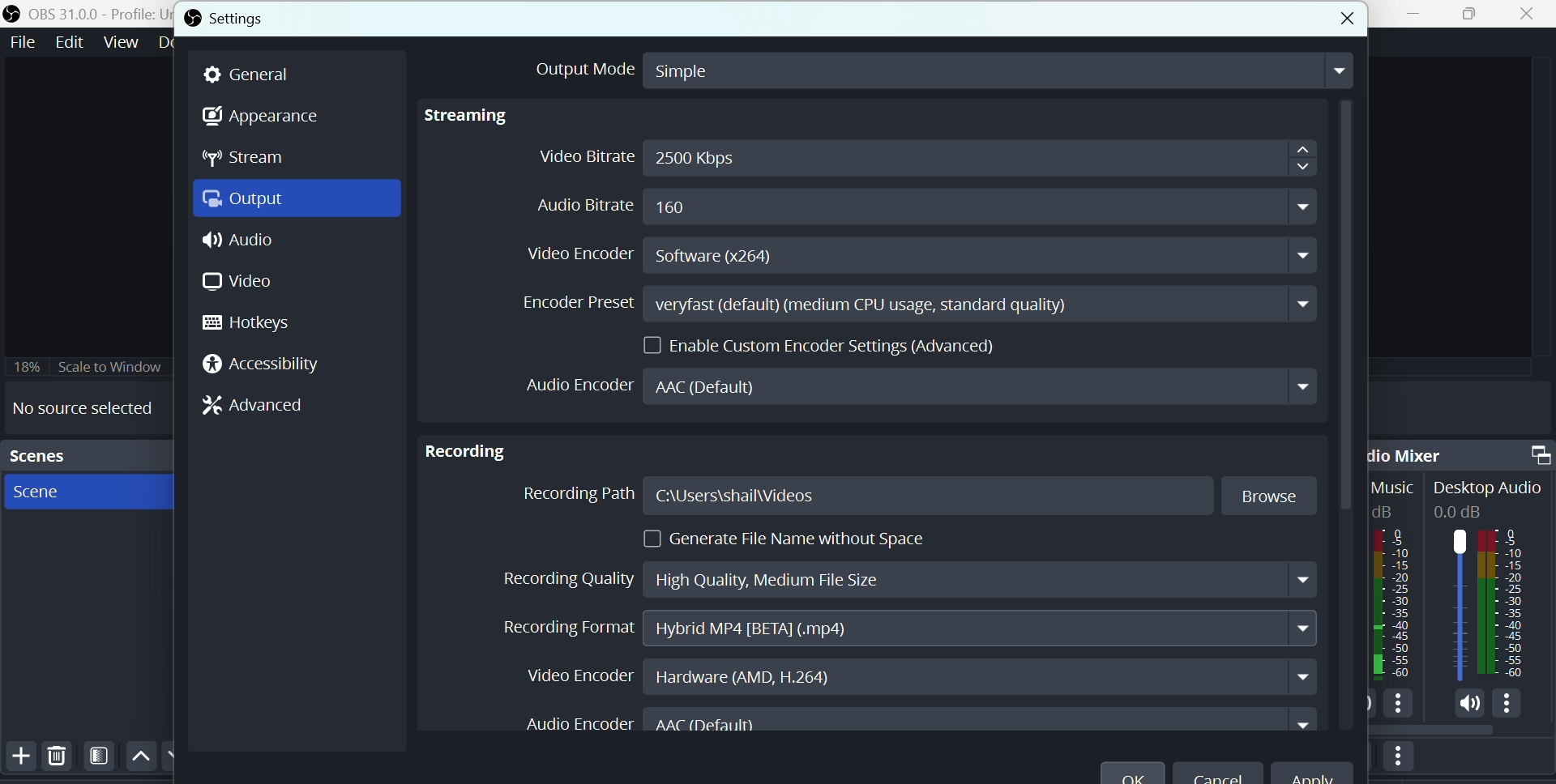  What do you see at coordinates (143, 761) in the screenshot?
I see `Up` at bounding box center [143, 761].